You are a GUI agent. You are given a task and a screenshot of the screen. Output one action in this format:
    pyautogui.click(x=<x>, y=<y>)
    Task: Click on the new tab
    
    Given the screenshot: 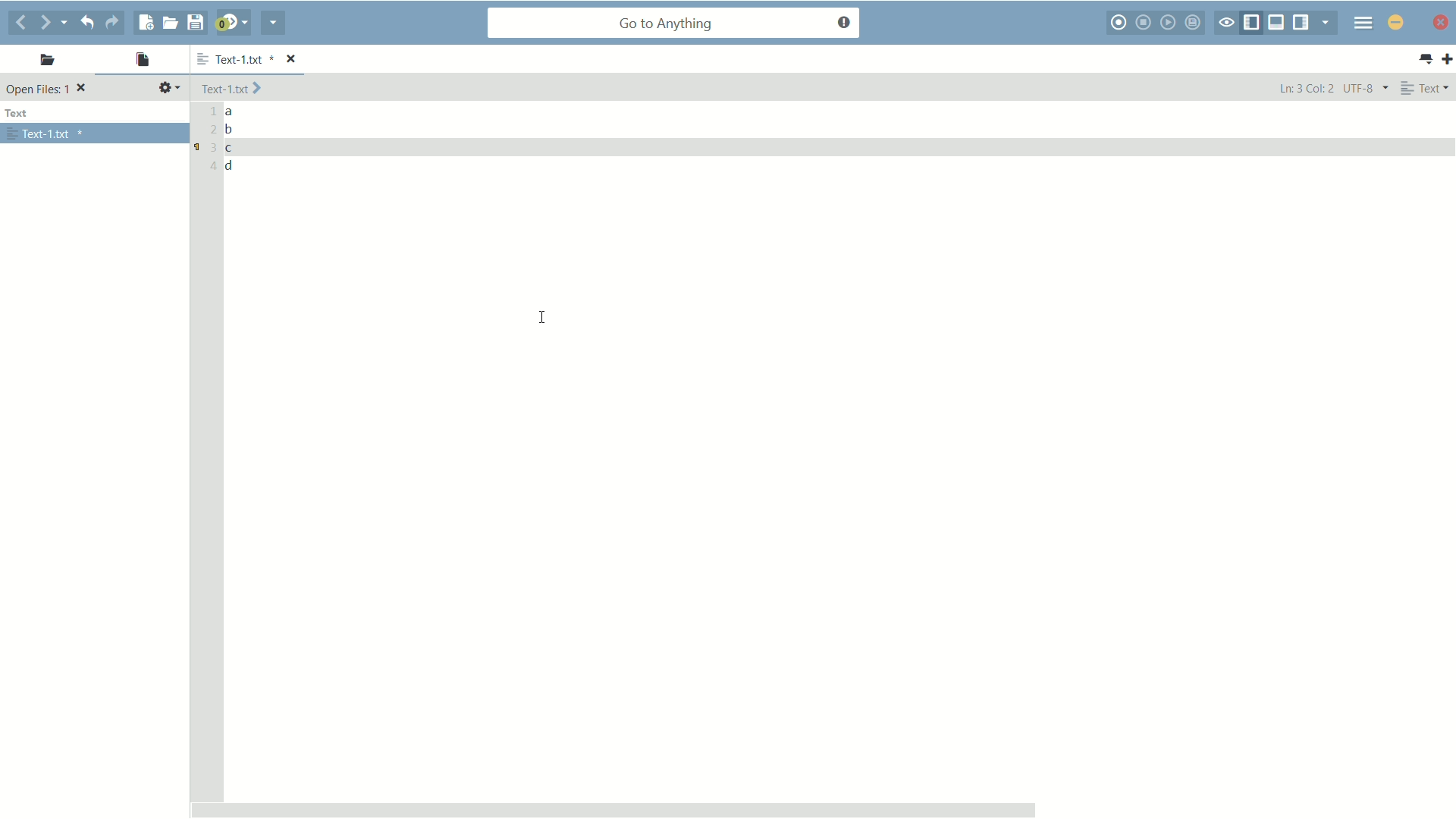 What is the action you would take?
    pyautogui.click(x=1447, y=60)
    